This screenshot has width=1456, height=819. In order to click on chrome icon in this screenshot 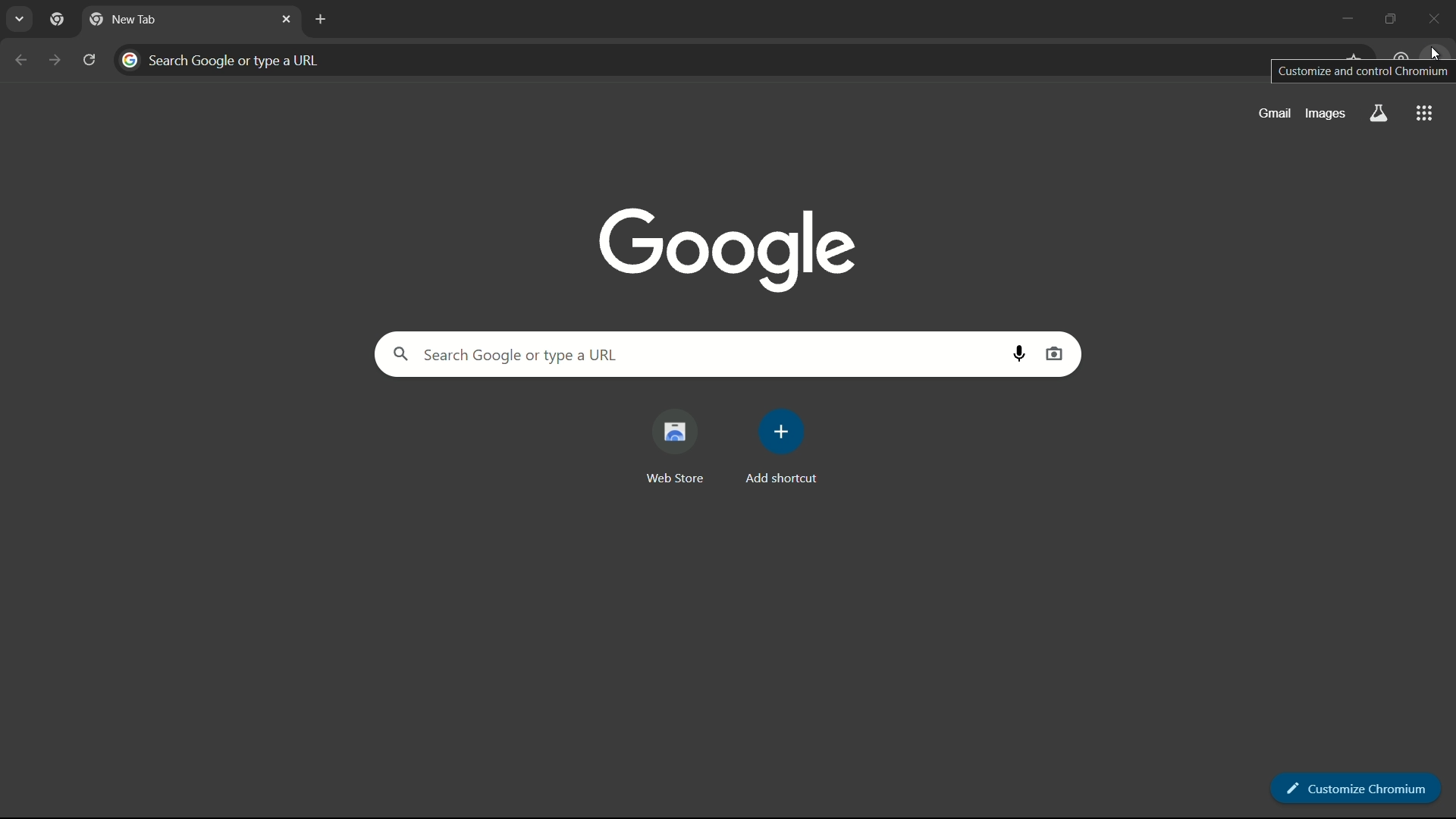, I will do `click(57, 20)`.